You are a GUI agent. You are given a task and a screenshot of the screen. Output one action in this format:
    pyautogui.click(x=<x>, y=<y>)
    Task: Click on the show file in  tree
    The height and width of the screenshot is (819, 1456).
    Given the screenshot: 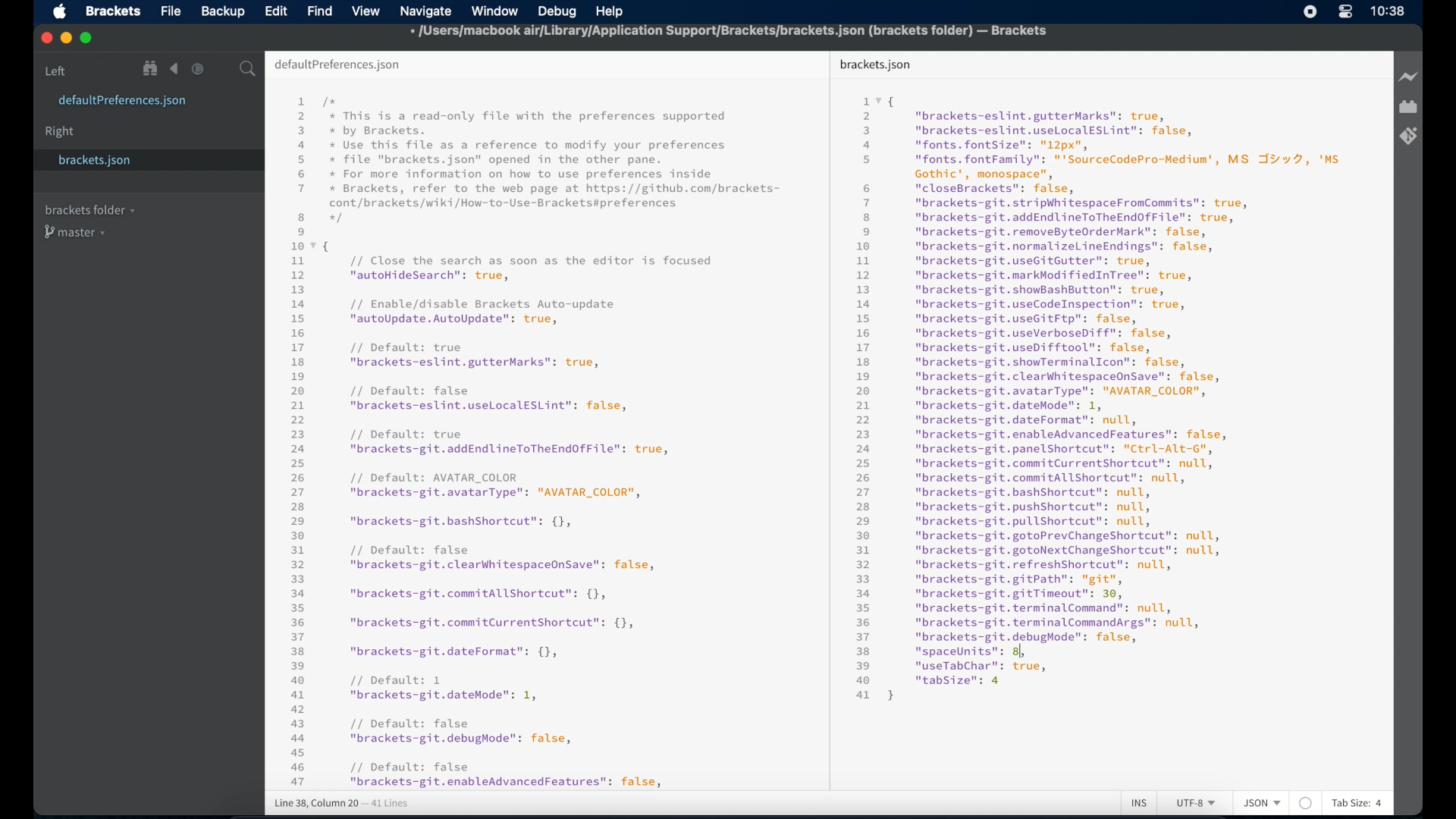 What is the action you would take?
    pyautogui.click(x=151, y=68)
    